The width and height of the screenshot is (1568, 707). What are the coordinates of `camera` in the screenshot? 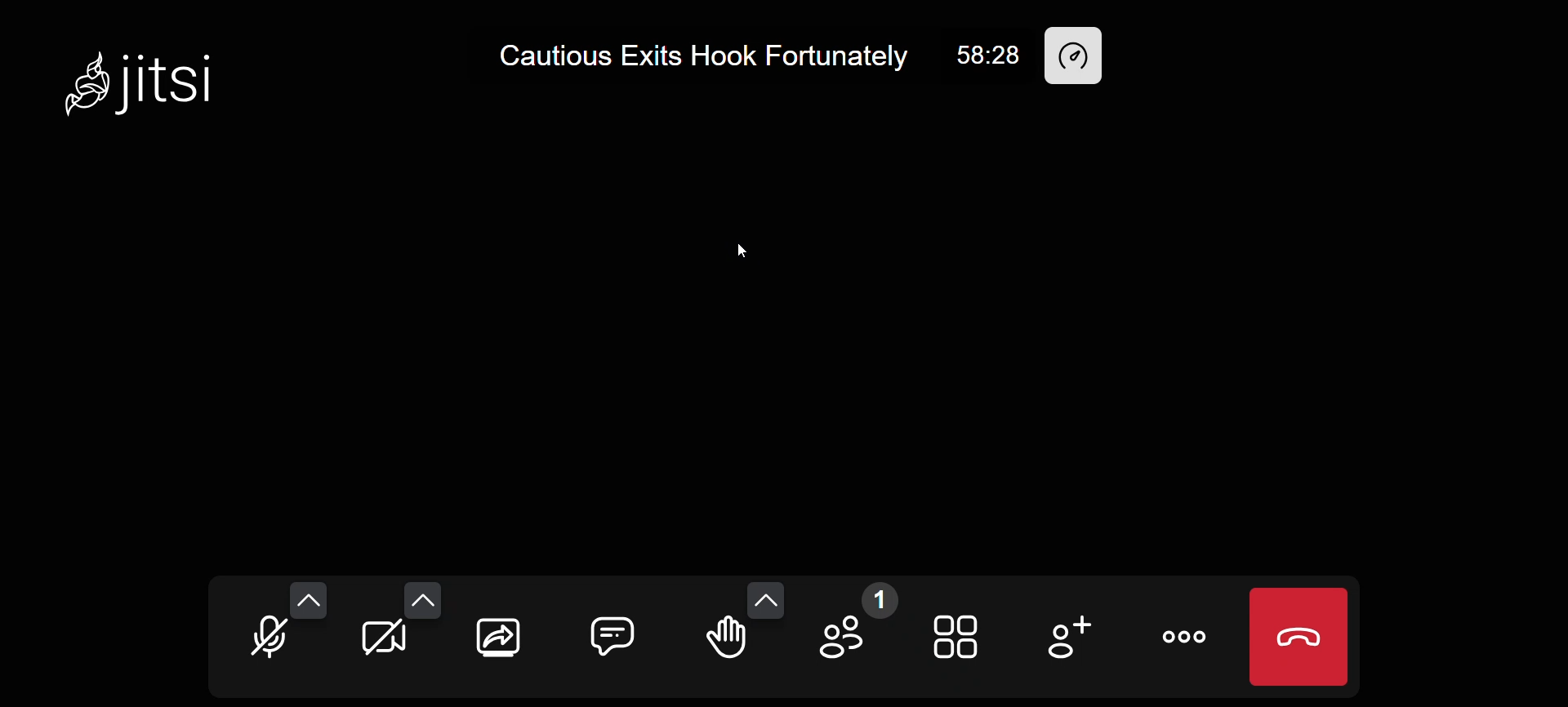 It's located at (383, 642).